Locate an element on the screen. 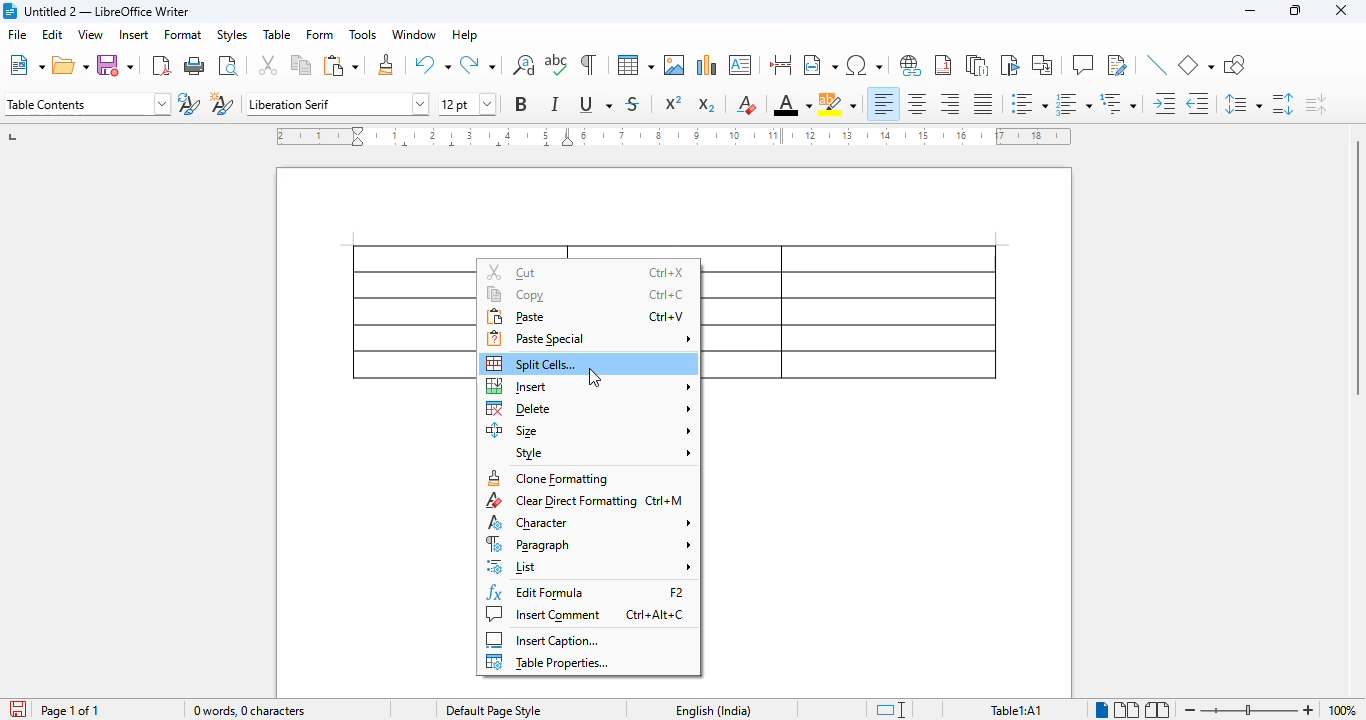 Image resolution: width=1366 pixels, height=720 pixels. font color is located at coordinates (792, 104).